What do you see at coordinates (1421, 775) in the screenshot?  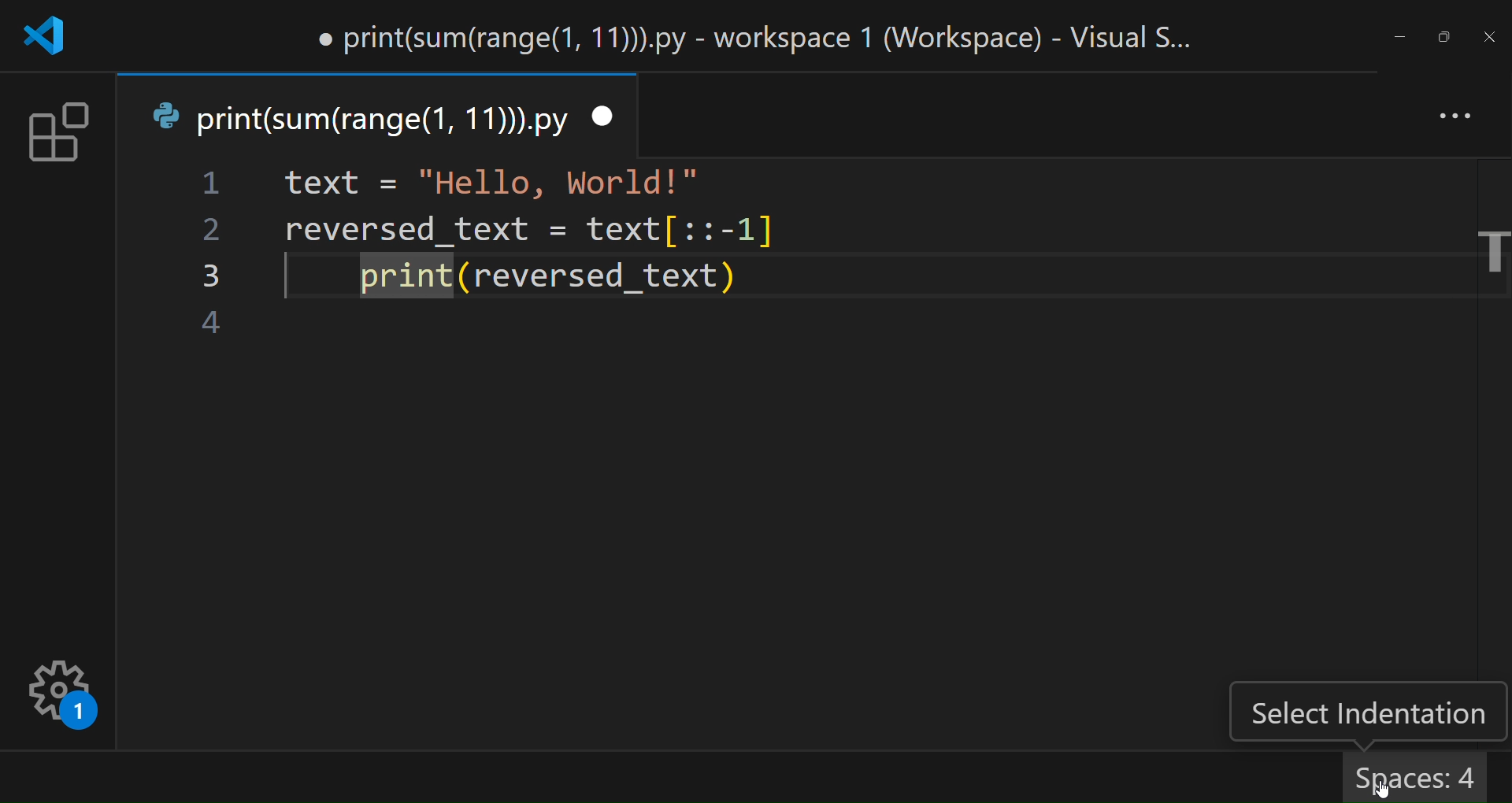 I see `spaces 4` at bounding box center [1421, 775].